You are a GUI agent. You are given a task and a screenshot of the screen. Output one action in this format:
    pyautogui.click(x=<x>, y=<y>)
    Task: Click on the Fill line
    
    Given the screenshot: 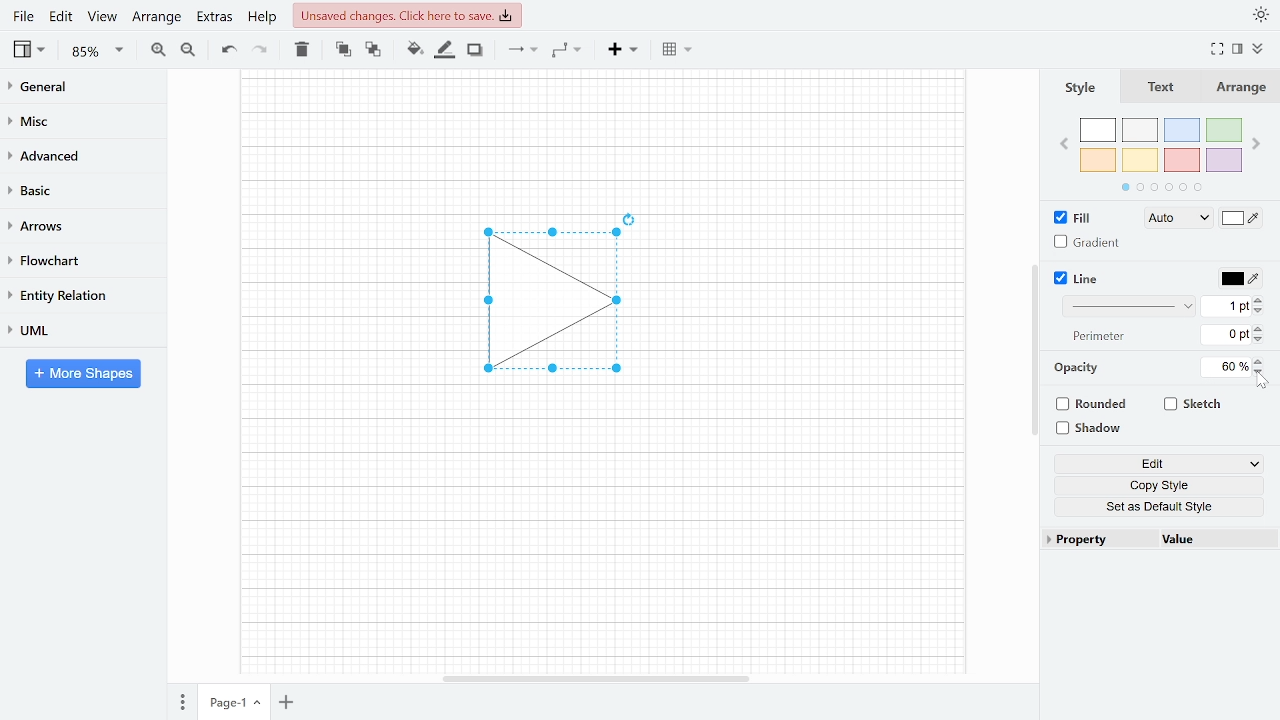 What is the action you would take?
    pyautogui.click(x=444, y=50)
    